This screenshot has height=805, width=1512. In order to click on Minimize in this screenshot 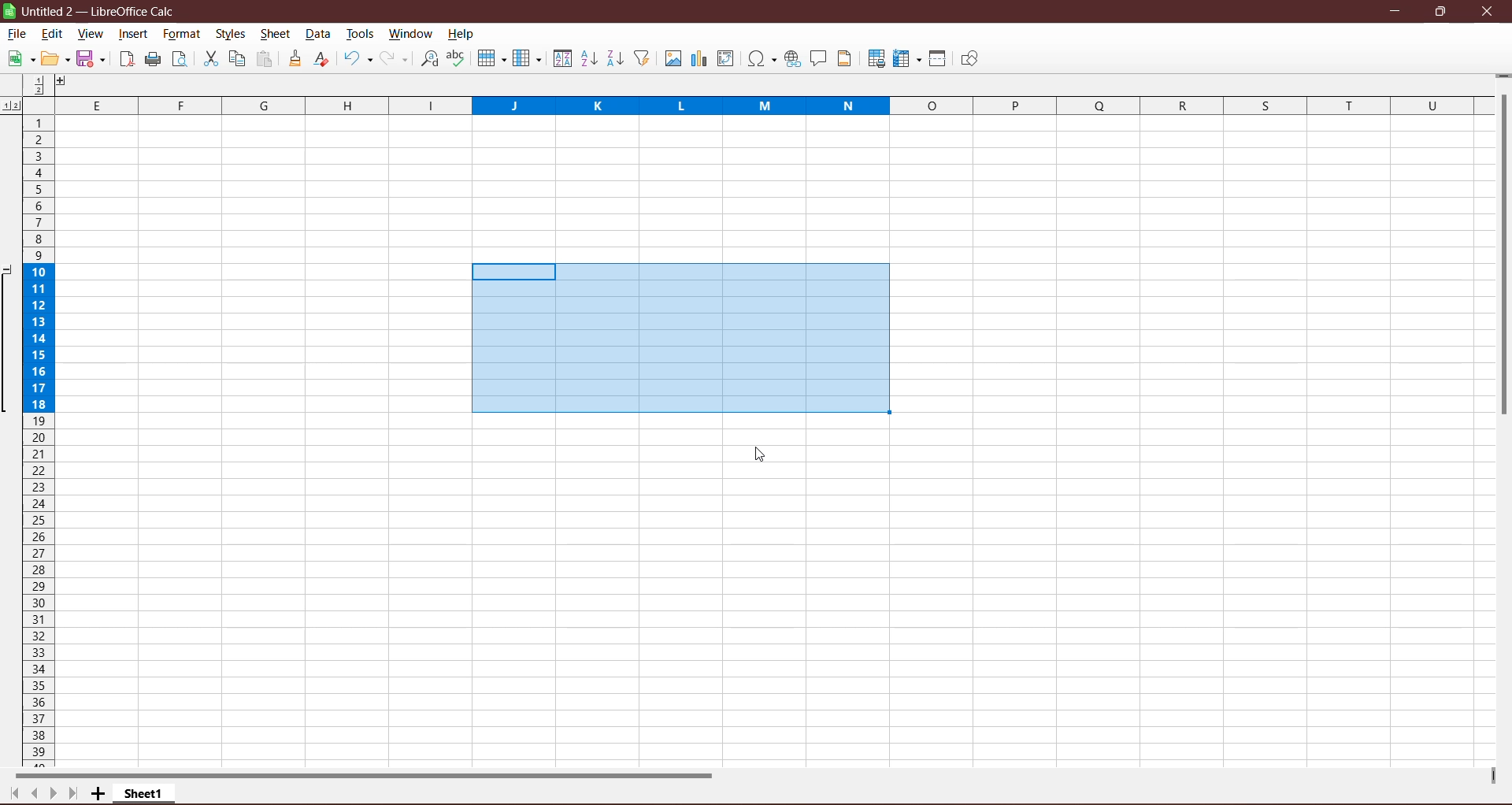, I will do `click(1397, 11)`.